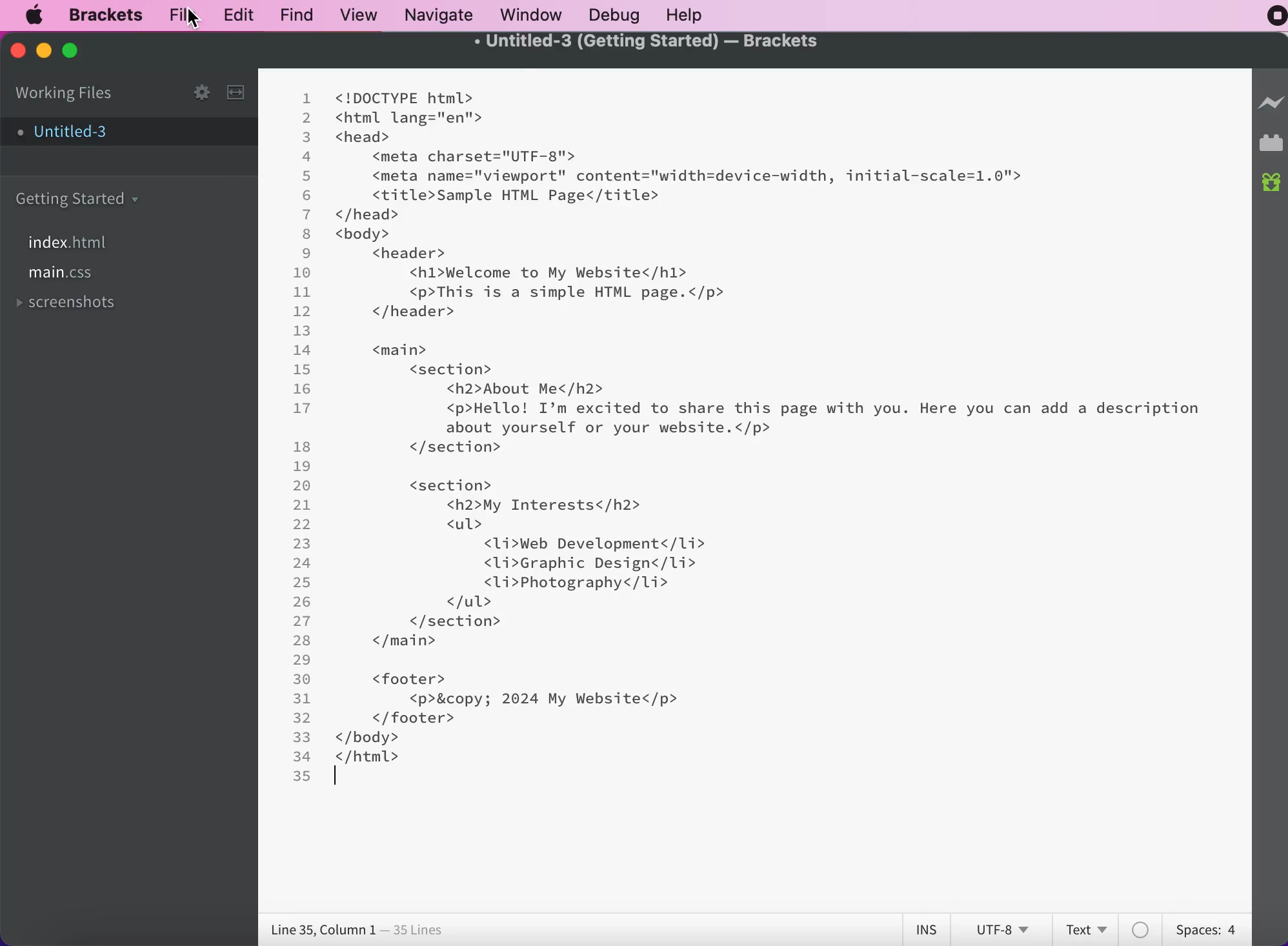 This screenshot has width=1288, height=946. What do you see at coordinates (308, 254) in the screenshot?
I see `9` at bounding box center [308, 254].